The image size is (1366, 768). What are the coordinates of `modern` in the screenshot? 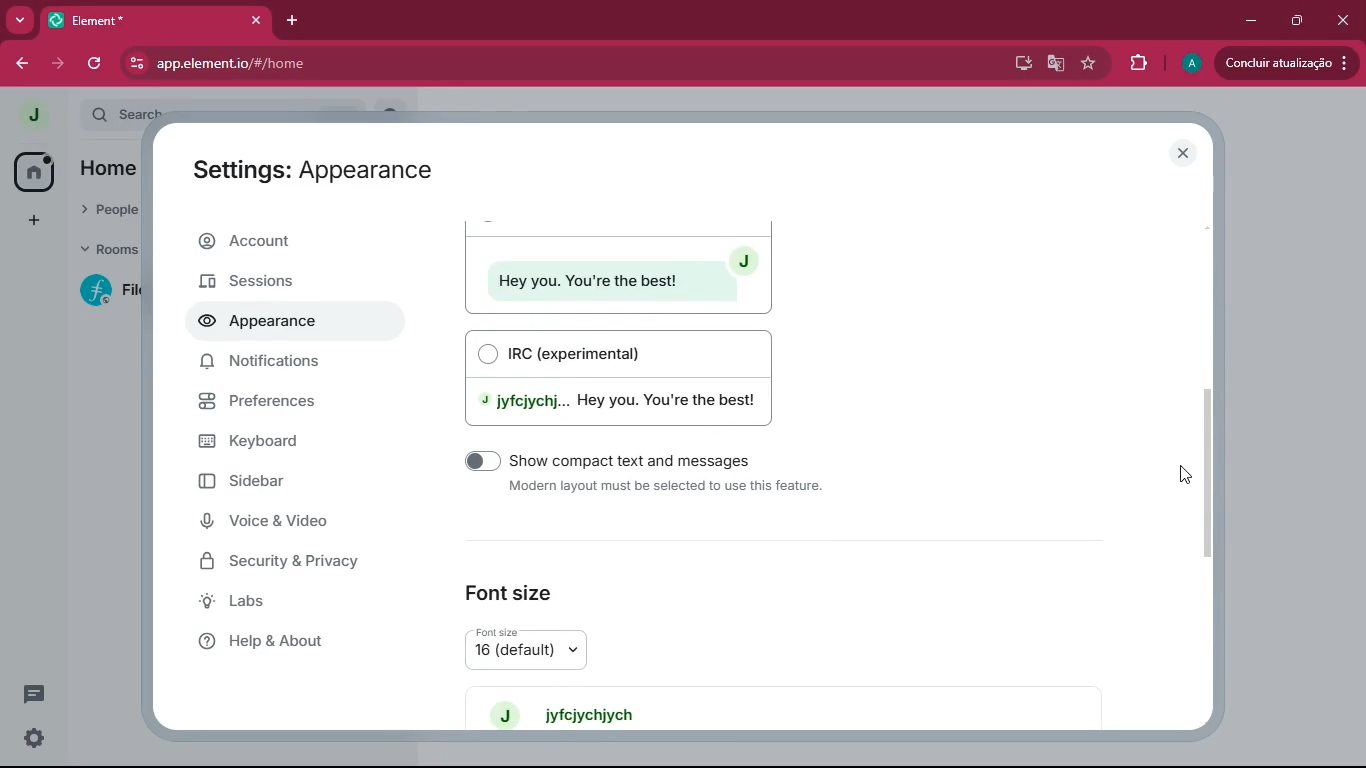 It's located at (617, 266).